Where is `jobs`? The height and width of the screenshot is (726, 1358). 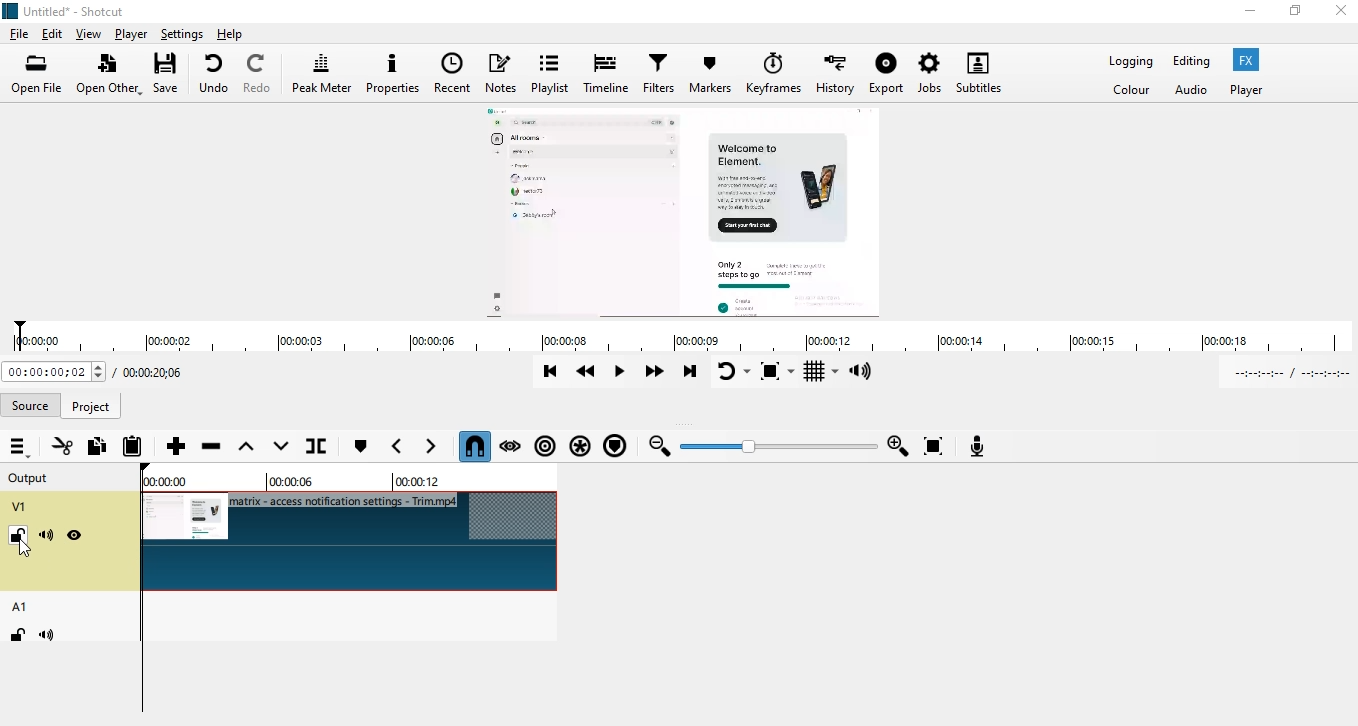 jobs is located at coordinates (930, 72).